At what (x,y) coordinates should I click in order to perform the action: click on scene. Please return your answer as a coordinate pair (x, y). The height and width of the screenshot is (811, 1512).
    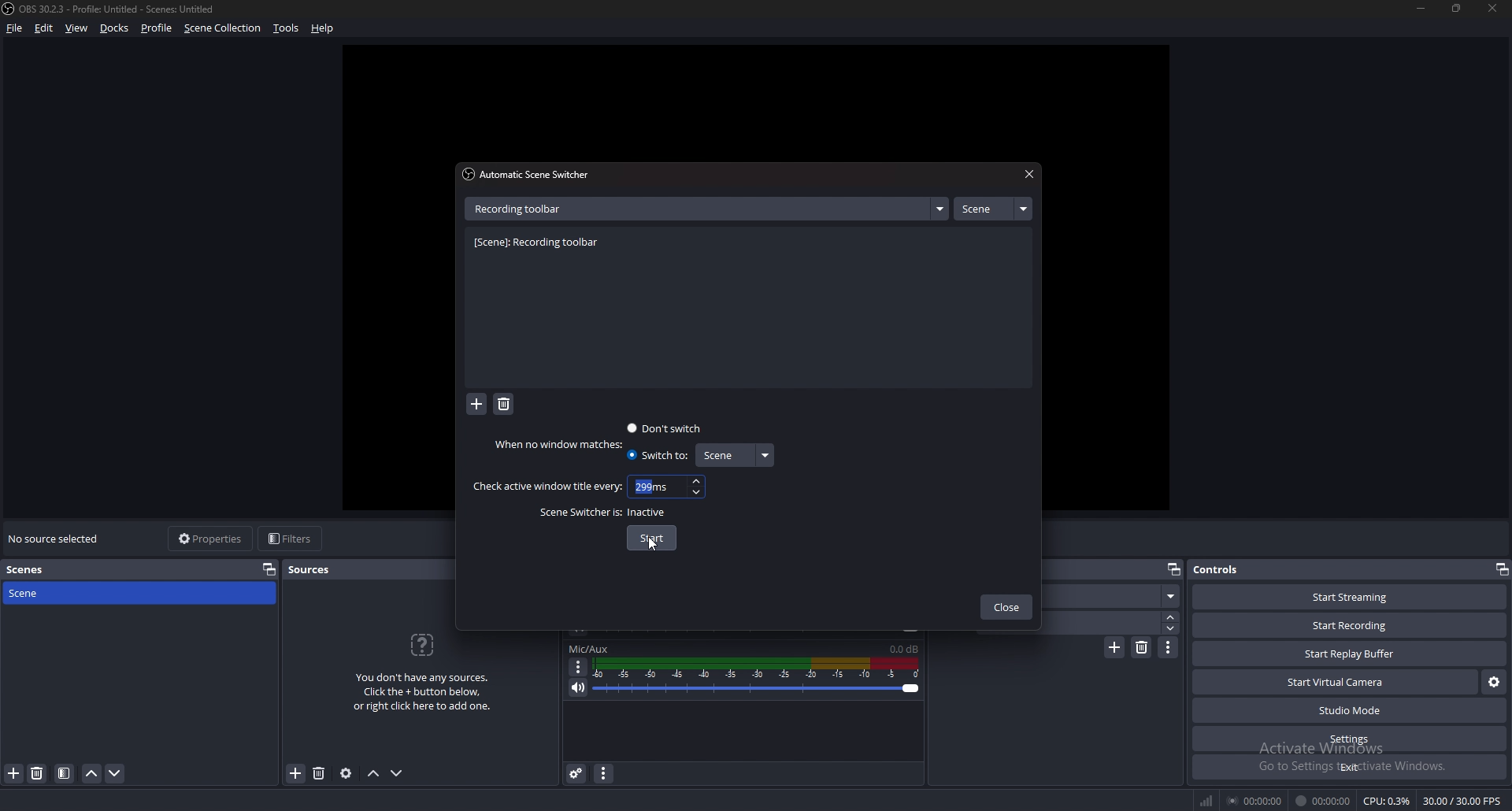
    Looking at the image, I should click on (733, 455).